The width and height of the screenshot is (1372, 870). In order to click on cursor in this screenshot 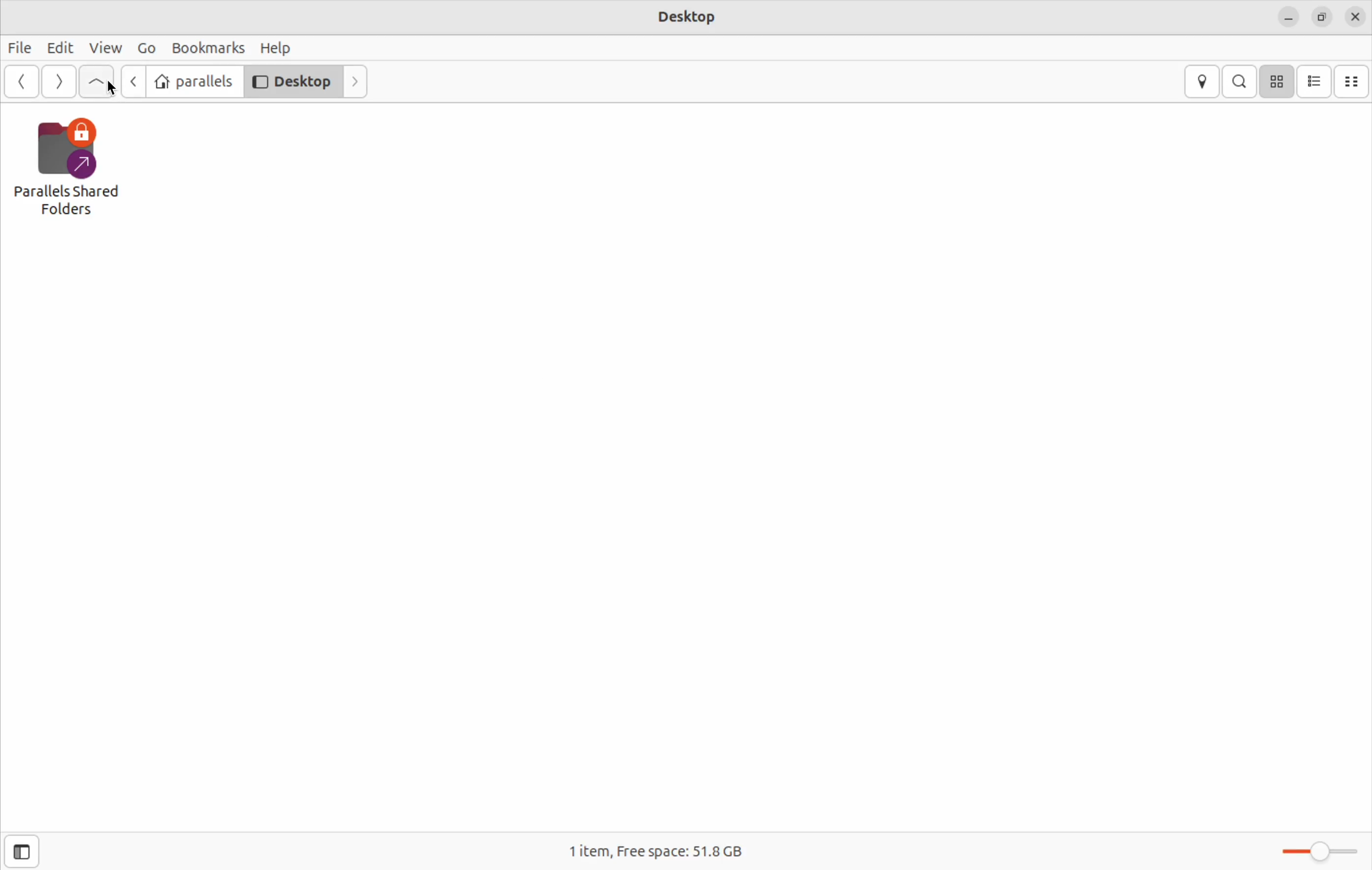, I will do `click(115, 90)`.